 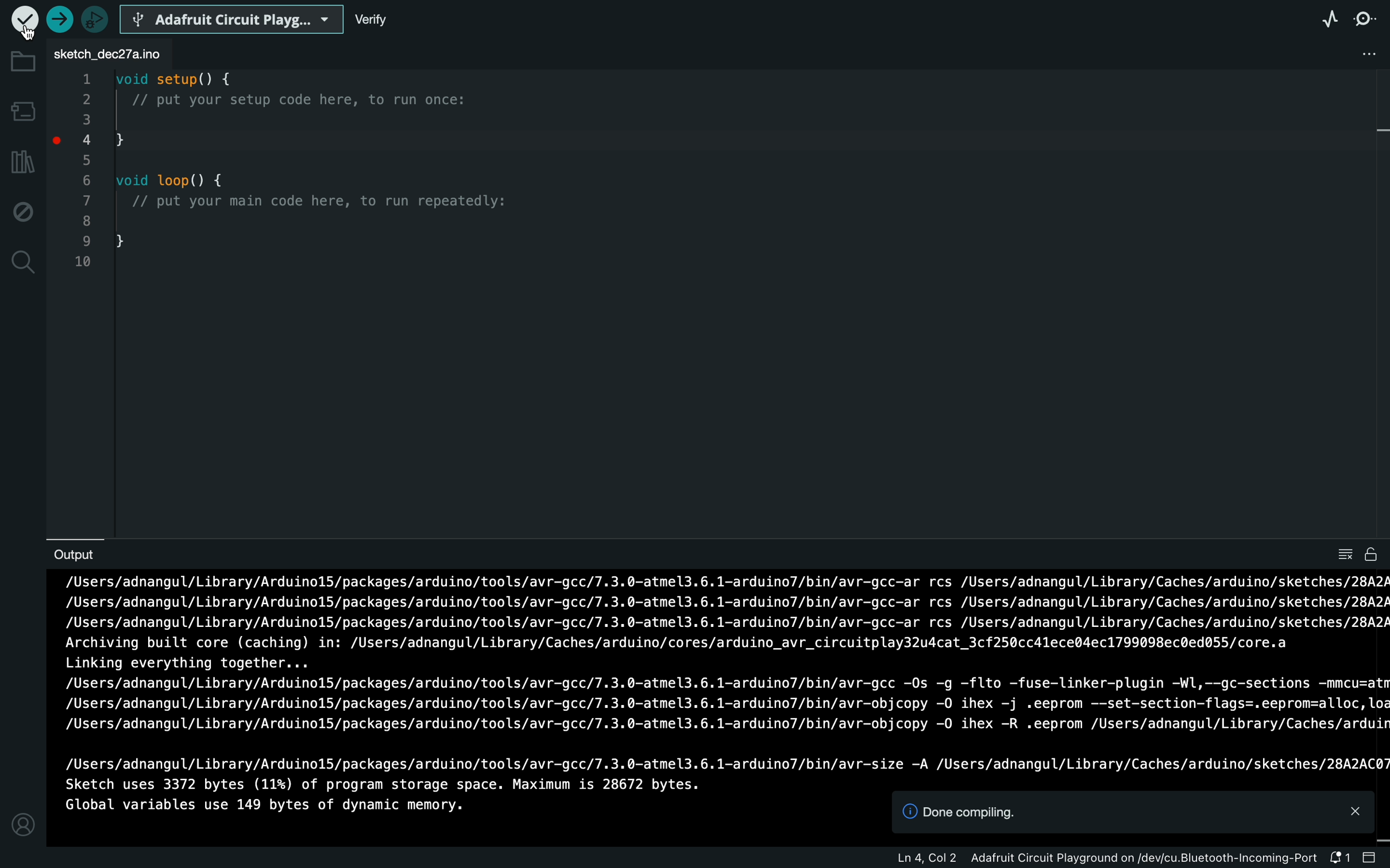 I want to click on notification, so click(x=1372, y=859).